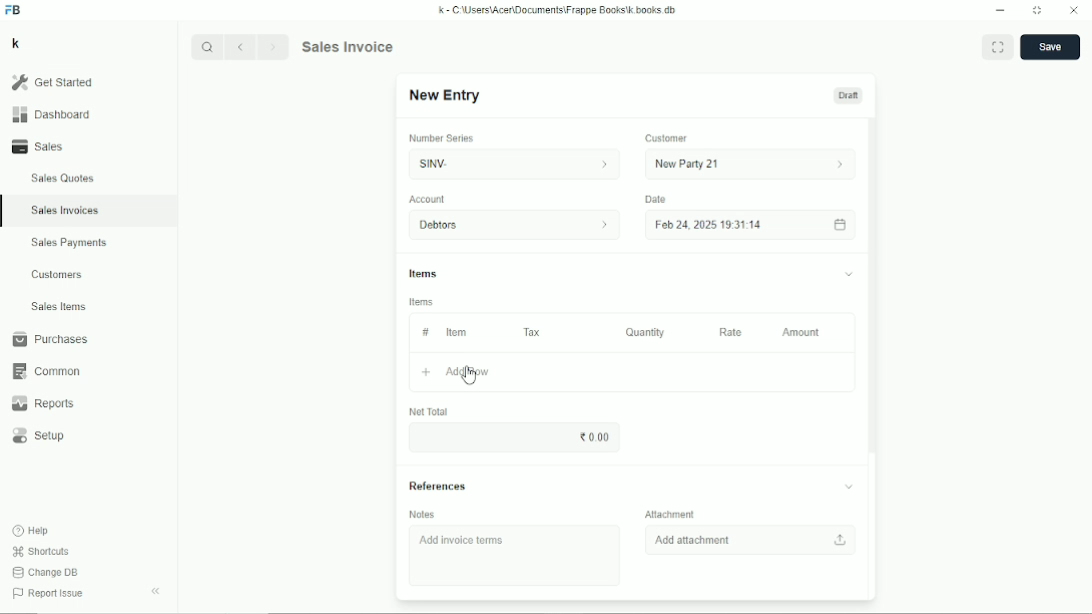 The image size is (1092, 614). Describe the element at coordinates (49, 339) in the screenshot. I see `Purchases` at that location.